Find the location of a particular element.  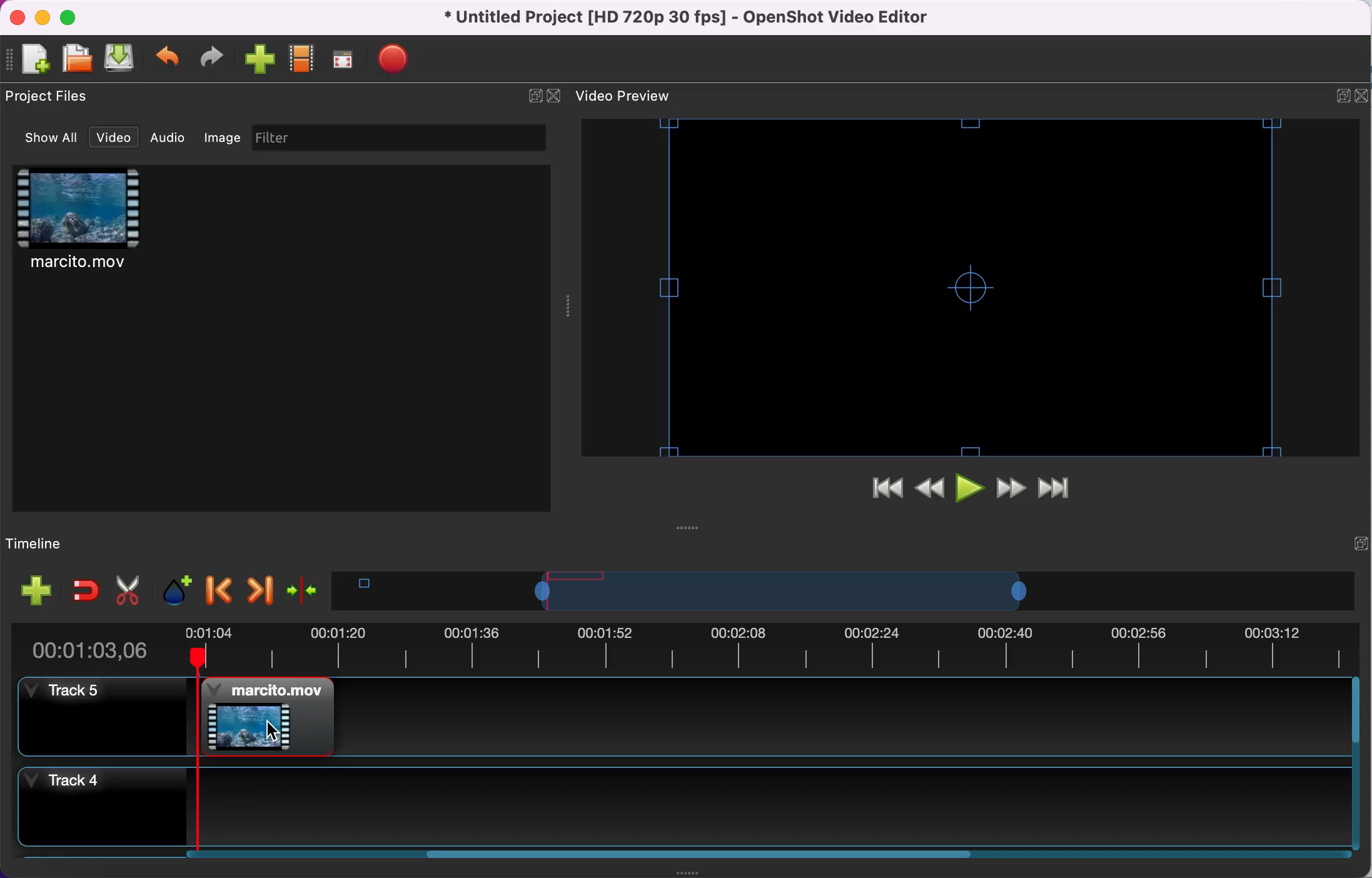

title is located at coordinates (690, 18).